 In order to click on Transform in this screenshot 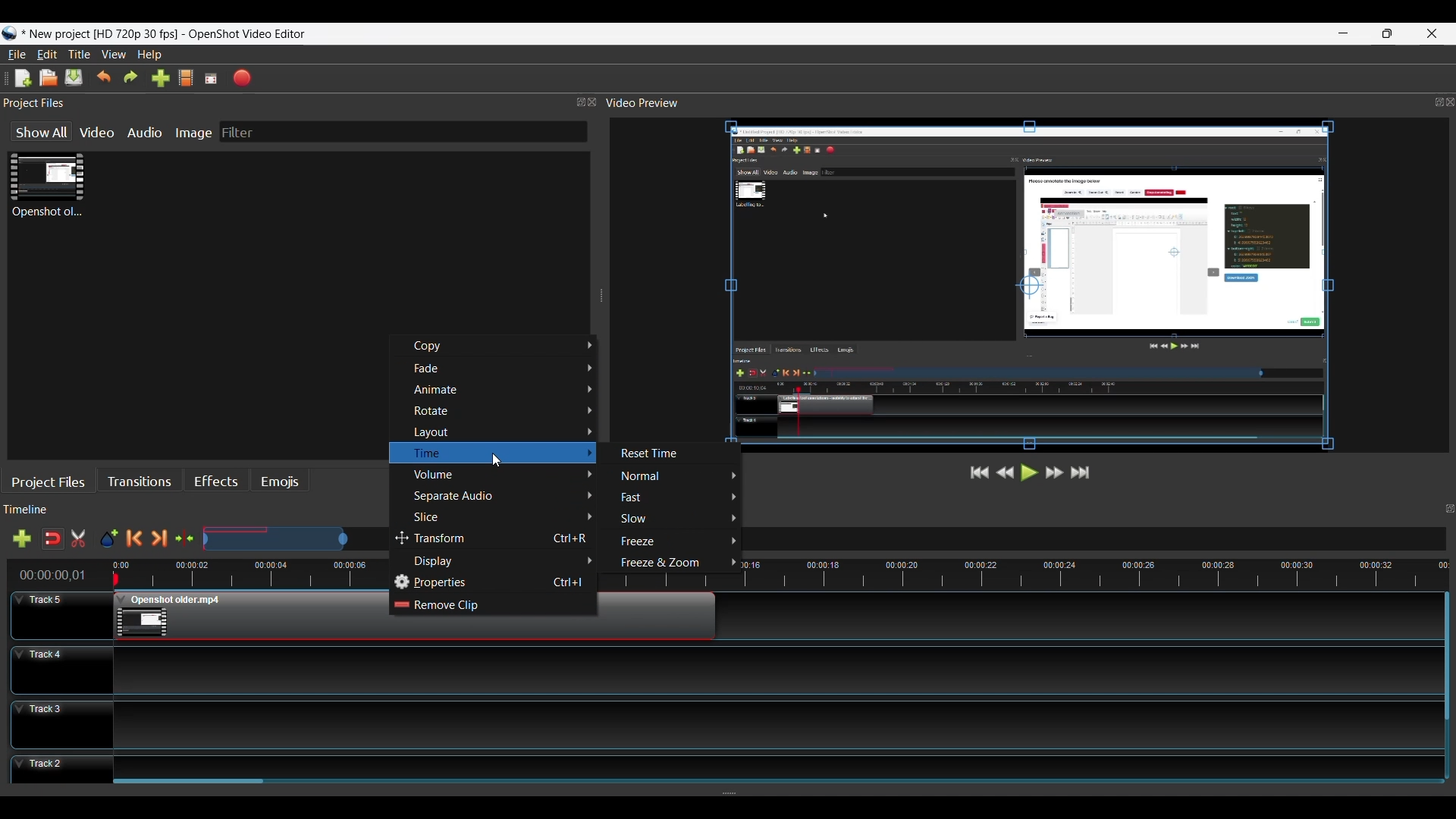, I will do `click(494, 540)`.